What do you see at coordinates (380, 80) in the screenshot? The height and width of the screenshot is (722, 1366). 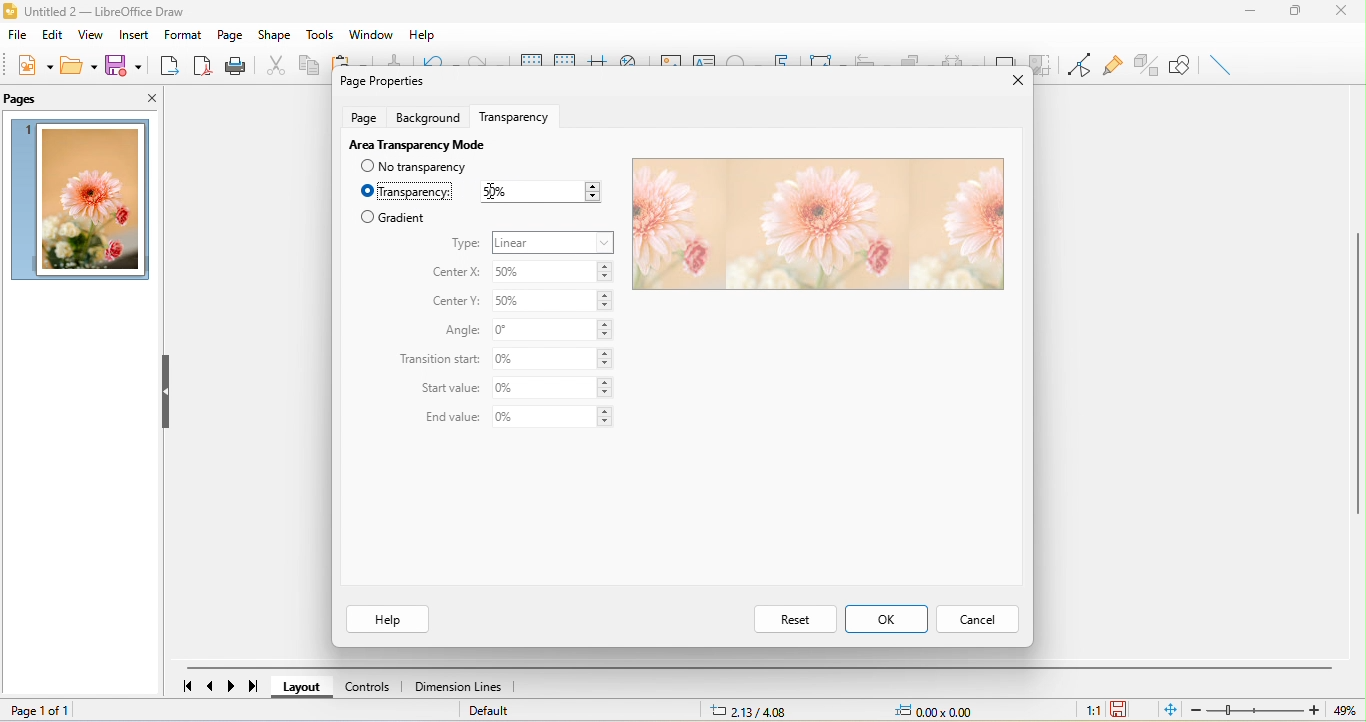 I see `page properties` at bounding box center [380, 80].